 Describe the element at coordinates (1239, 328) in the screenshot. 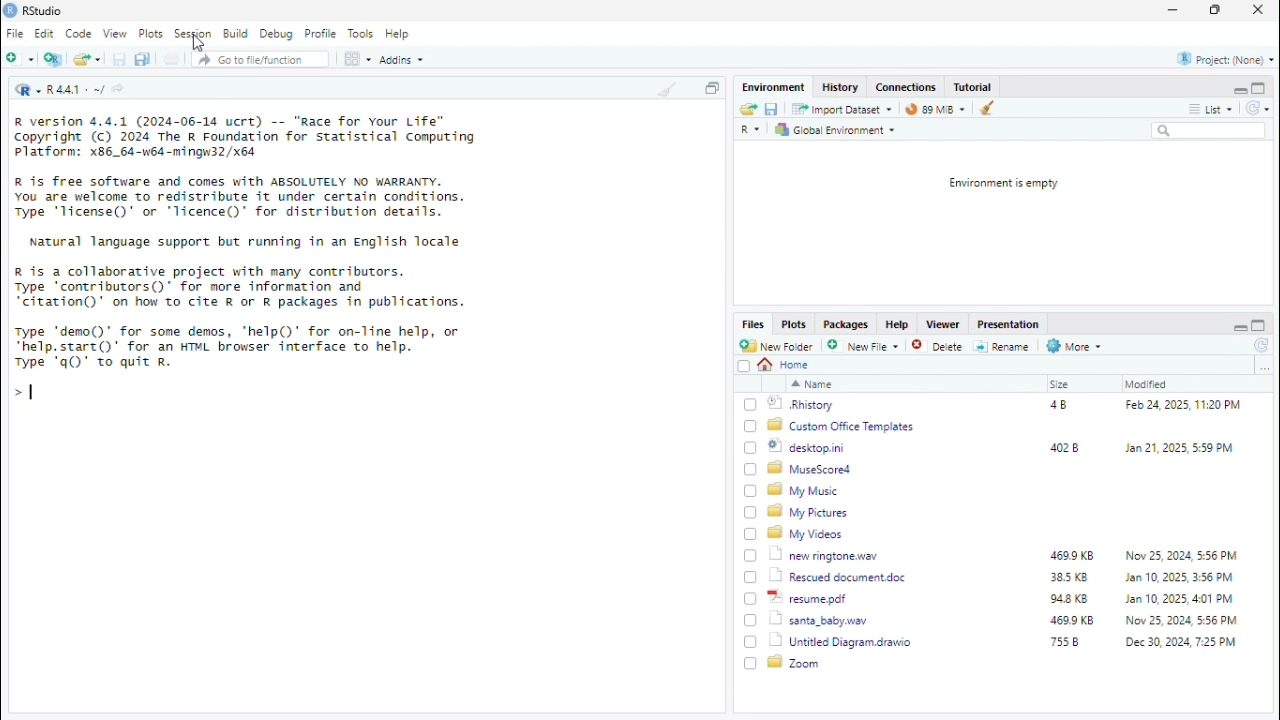

I see `minimise` at that location.